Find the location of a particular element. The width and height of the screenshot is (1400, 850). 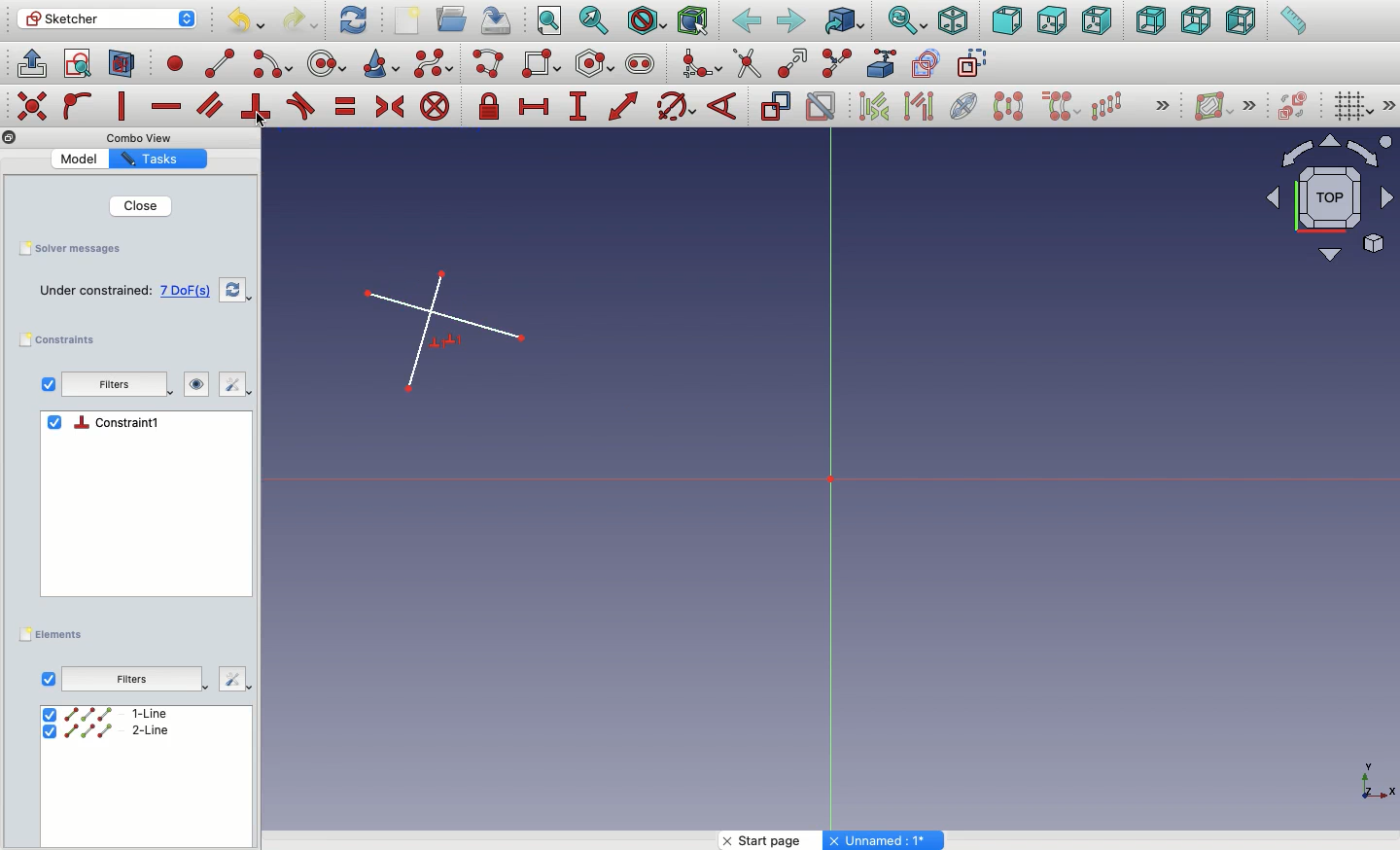

Constrain perpendicular is located at coordinates (257, 107).